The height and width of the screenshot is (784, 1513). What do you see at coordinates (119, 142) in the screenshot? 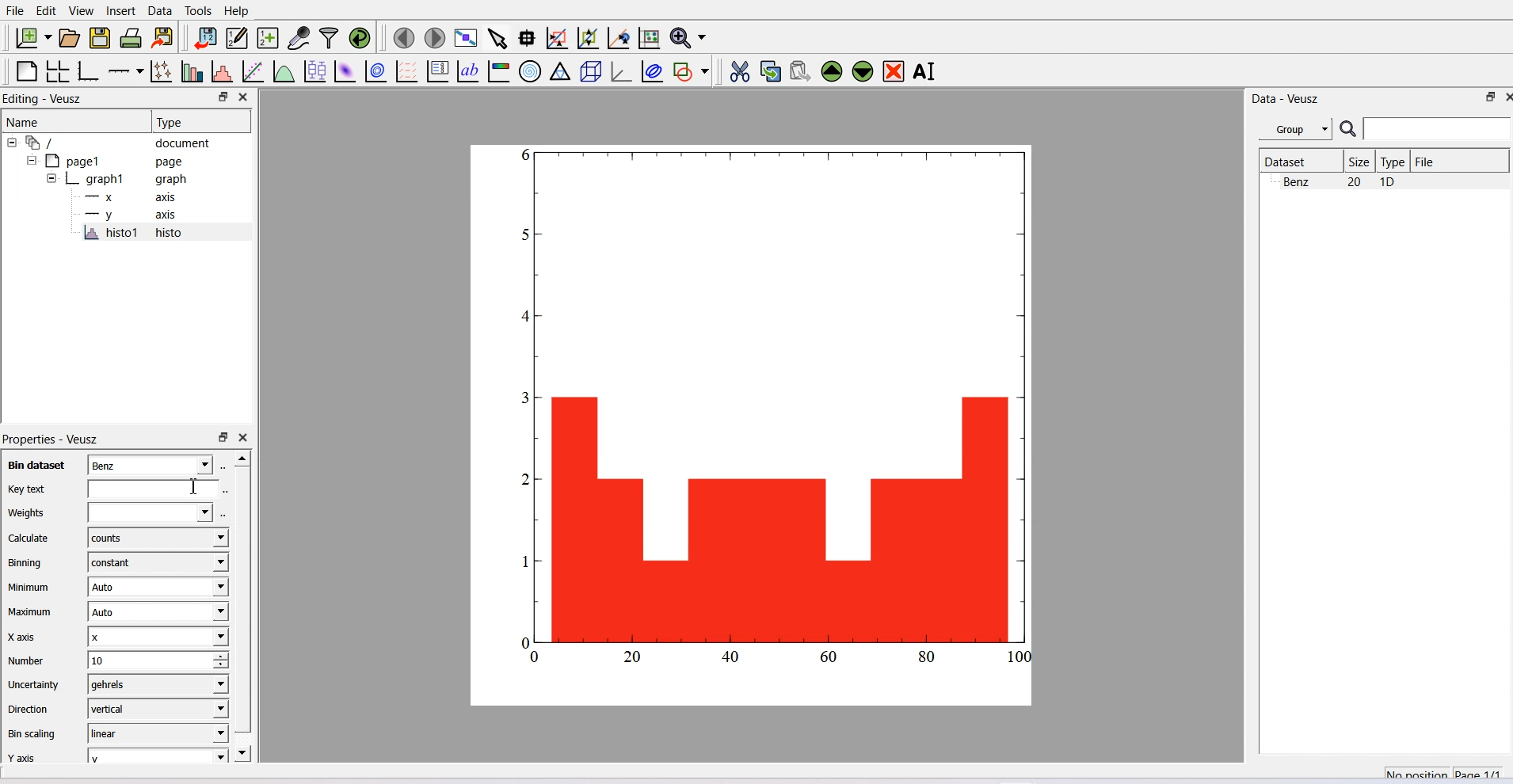
I see `Document` at bounding box center [119, 142].